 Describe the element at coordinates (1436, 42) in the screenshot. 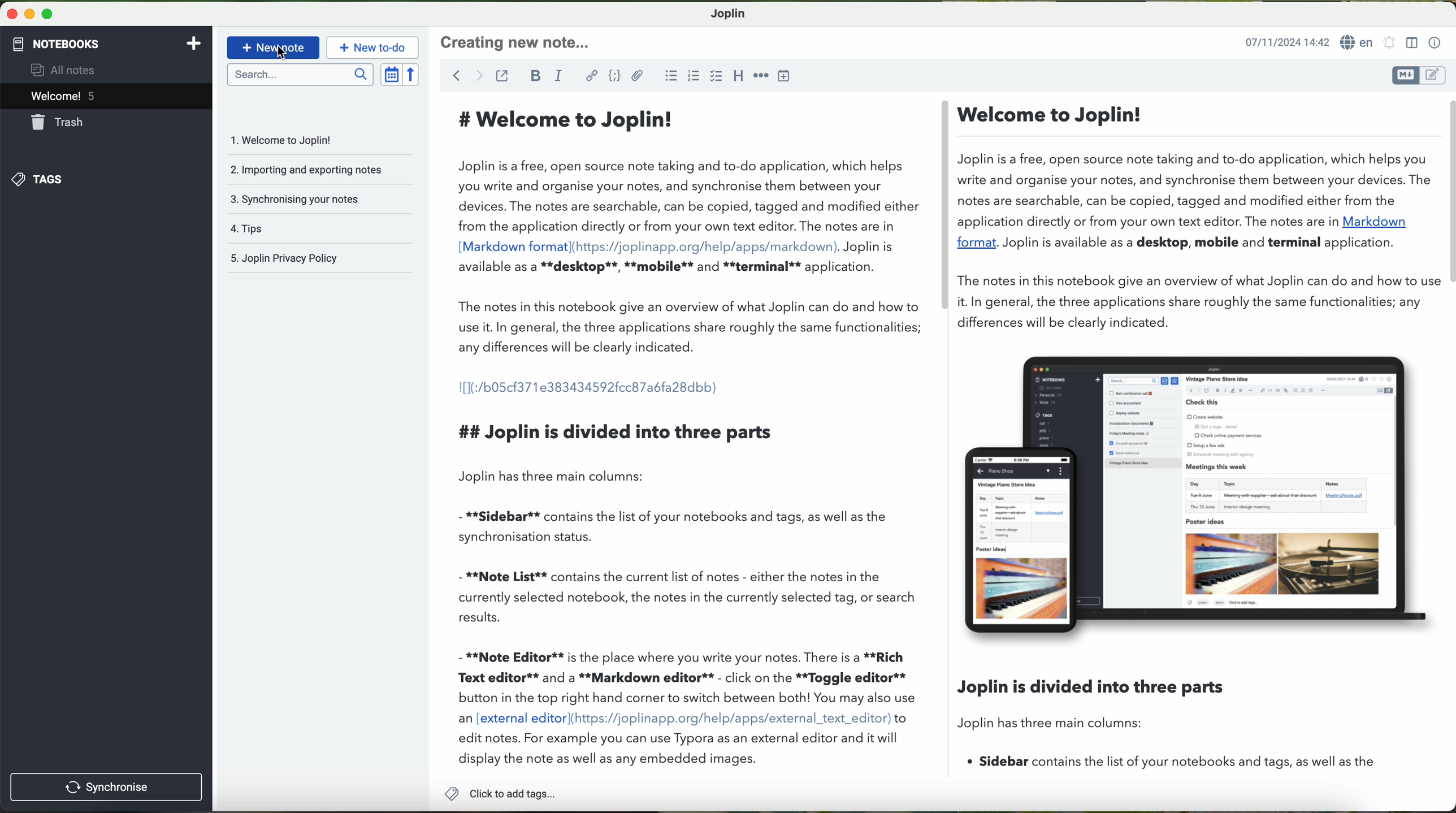

I see `note properties` at that location.